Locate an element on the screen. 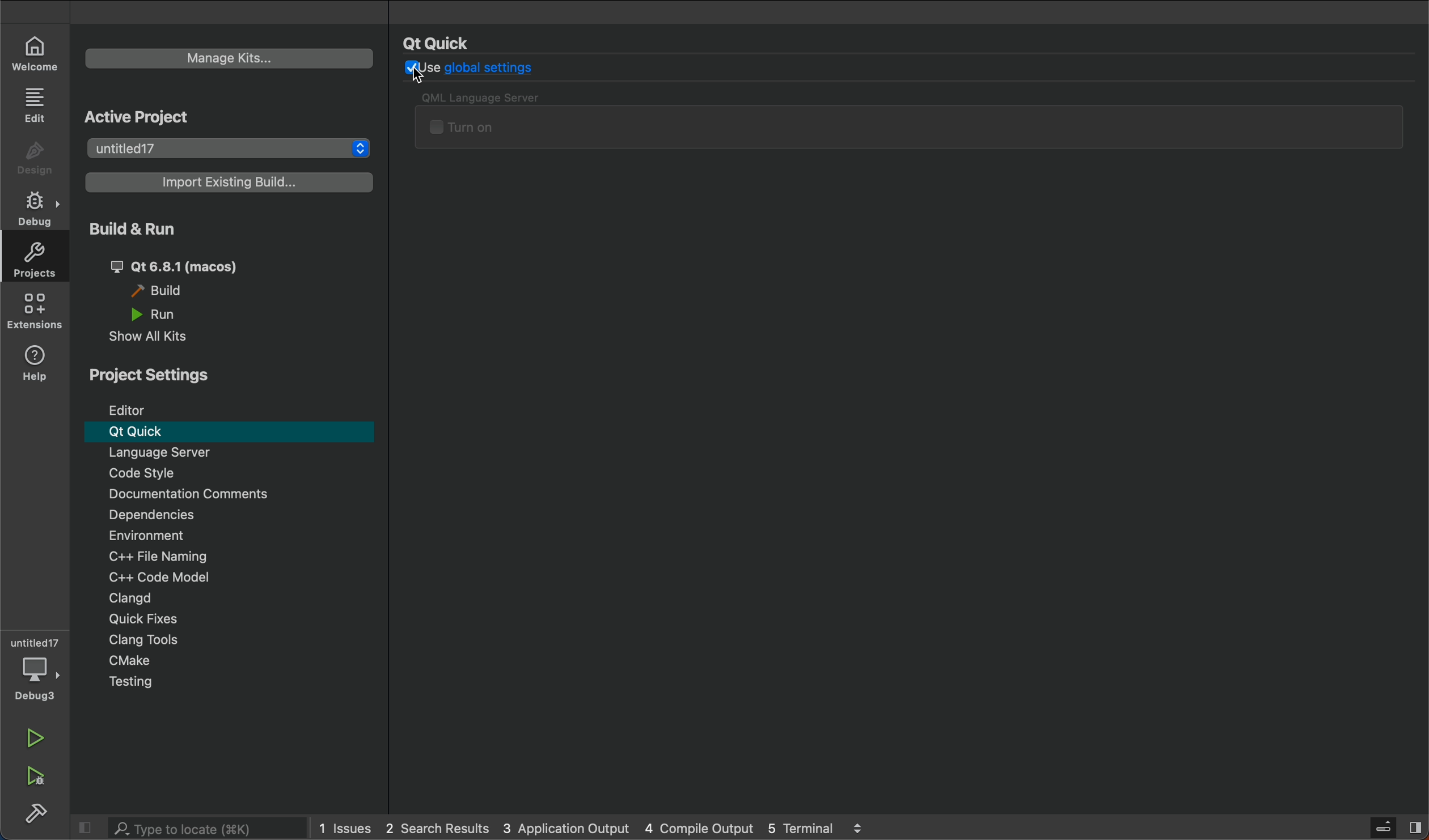 This screenshot has width=1429, height=840. Qt Quick is located at coordinates (440, 42).